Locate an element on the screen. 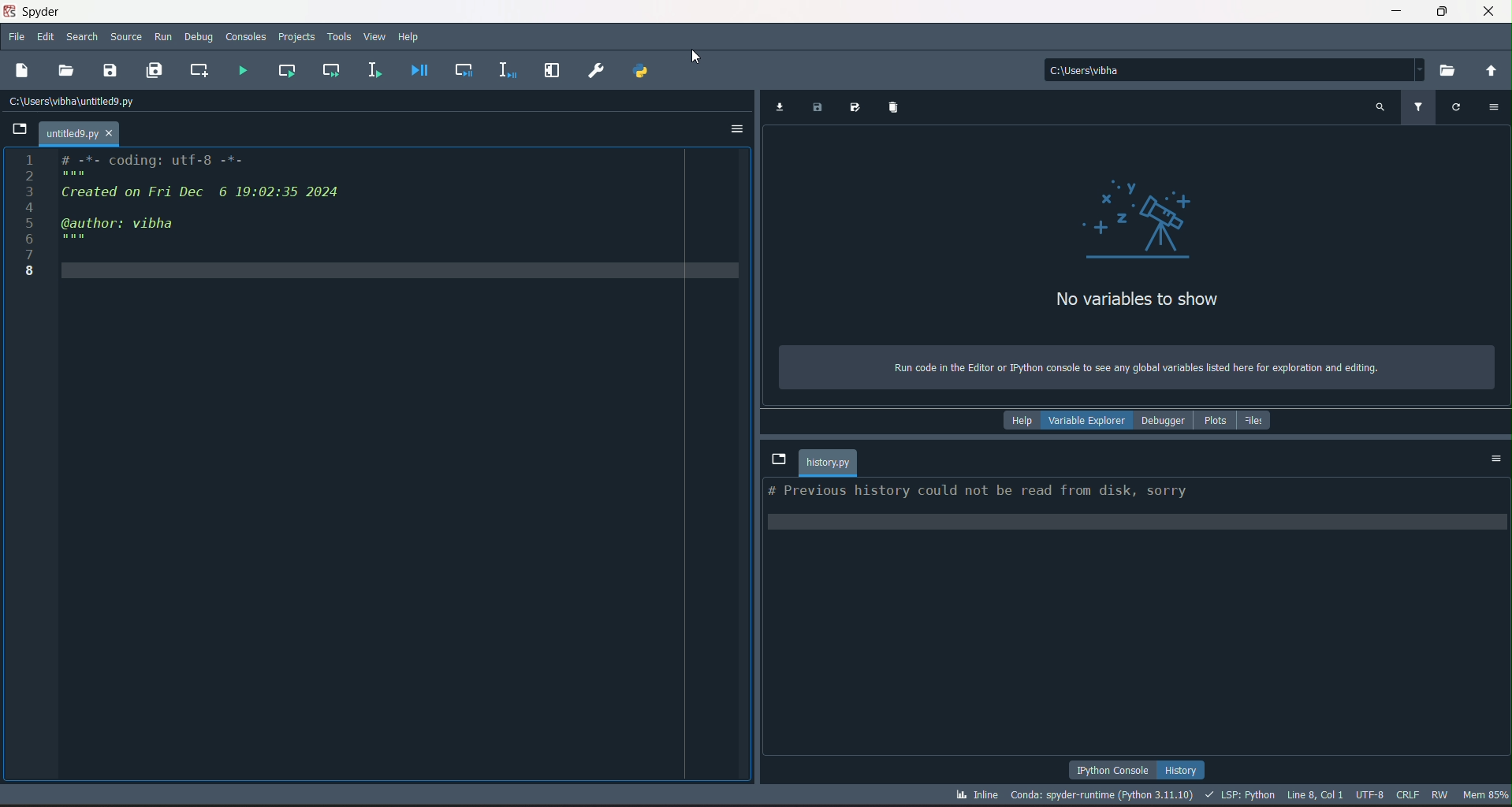 The width and height of the screenshot is (1512, 807). filter variable is located at coordinates (1419, 107).